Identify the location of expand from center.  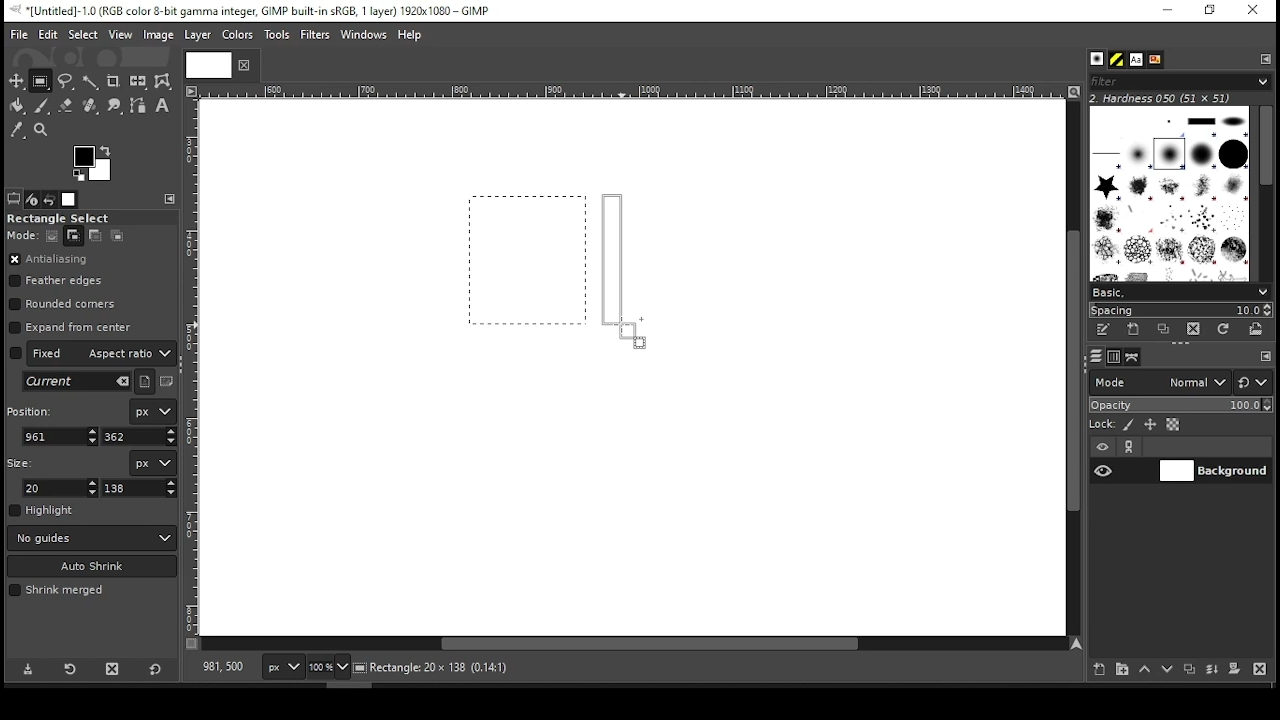
(71, 325).